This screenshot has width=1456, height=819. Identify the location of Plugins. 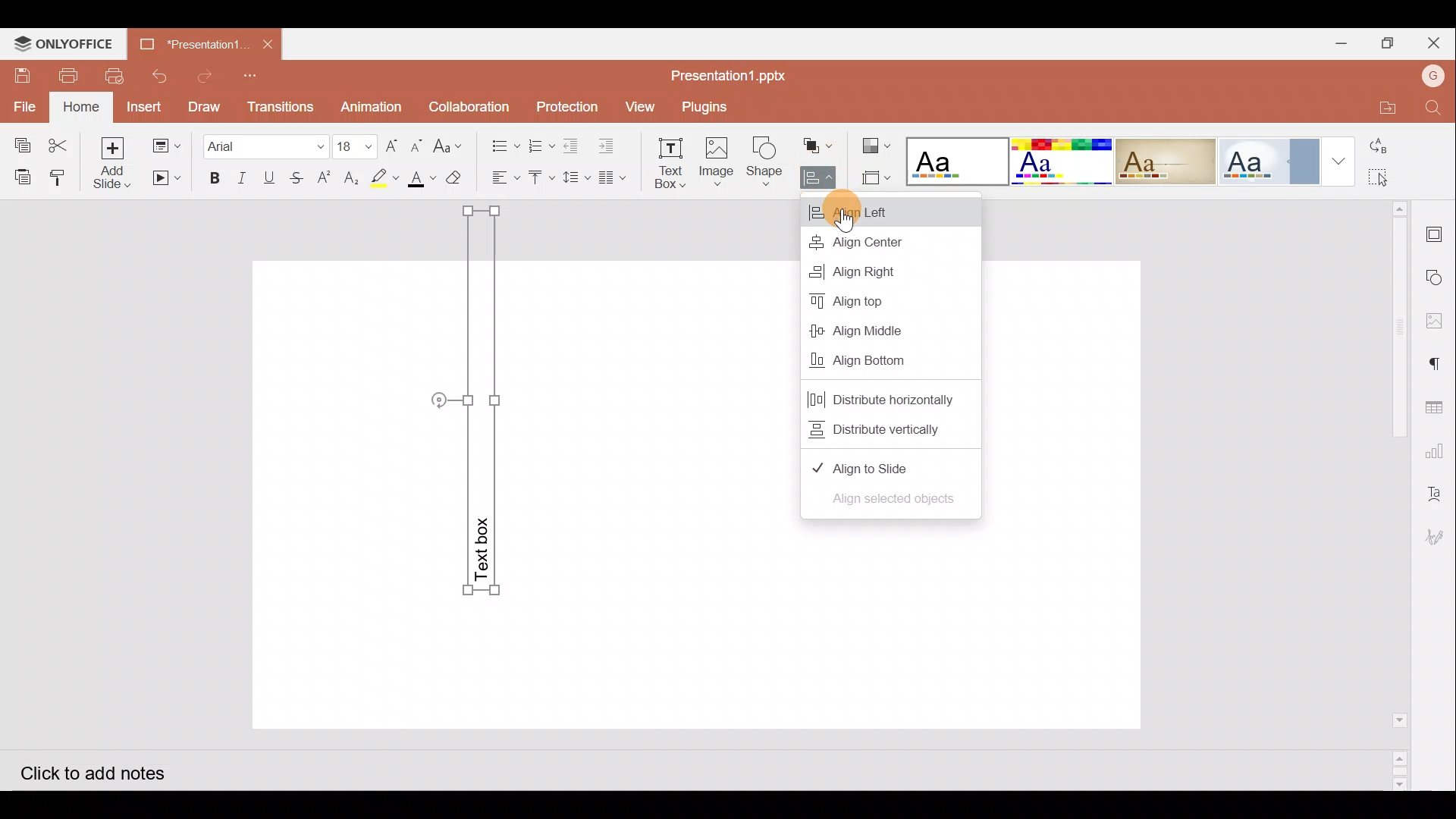
(707, 105).